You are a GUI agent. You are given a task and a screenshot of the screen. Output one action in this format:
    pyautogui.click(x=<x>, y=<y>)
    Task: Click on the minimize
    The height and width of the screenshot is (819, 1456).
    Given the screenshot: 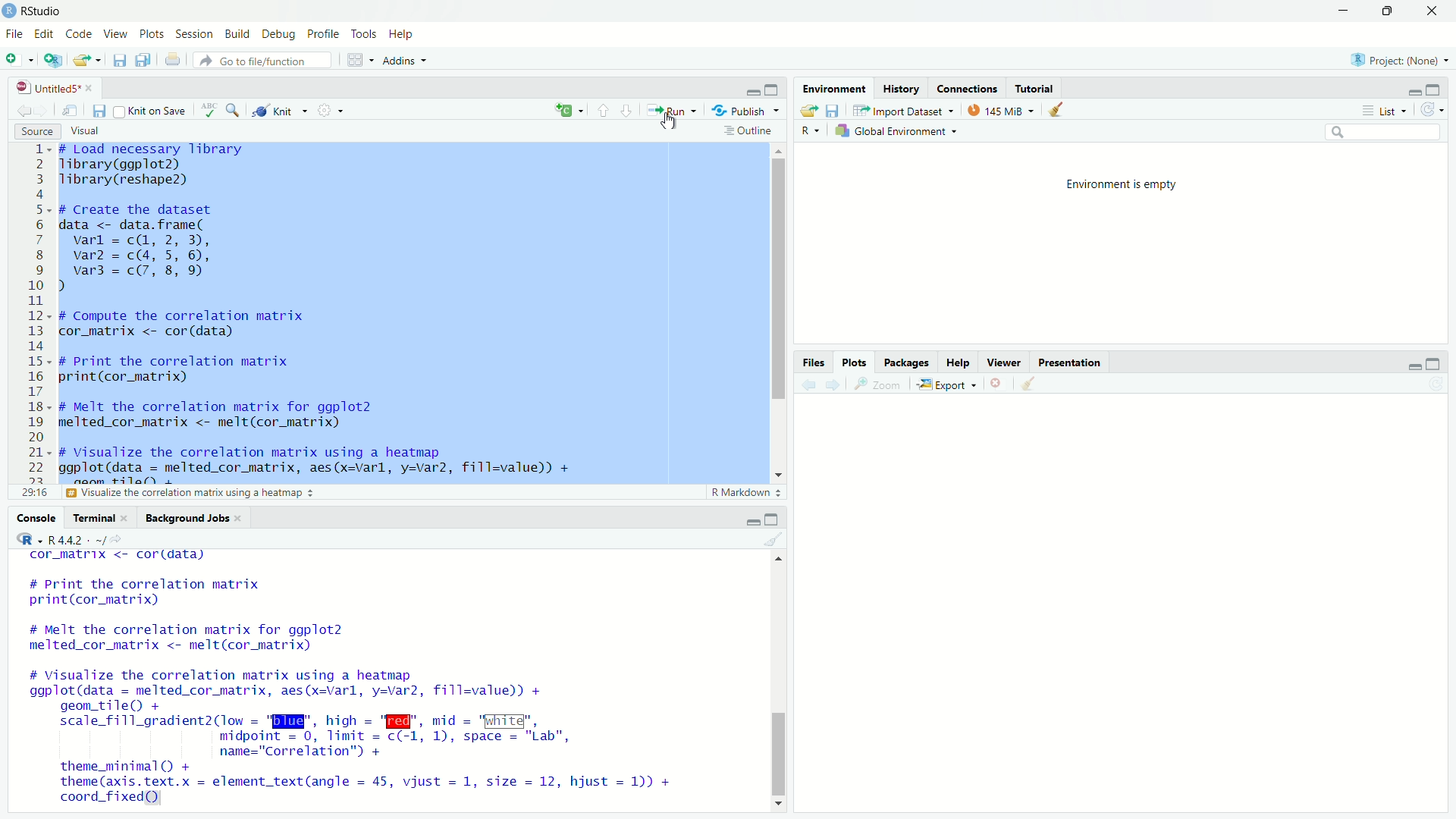 What is the action you would take?
    pyautogui.click(x=753, y=519)
    